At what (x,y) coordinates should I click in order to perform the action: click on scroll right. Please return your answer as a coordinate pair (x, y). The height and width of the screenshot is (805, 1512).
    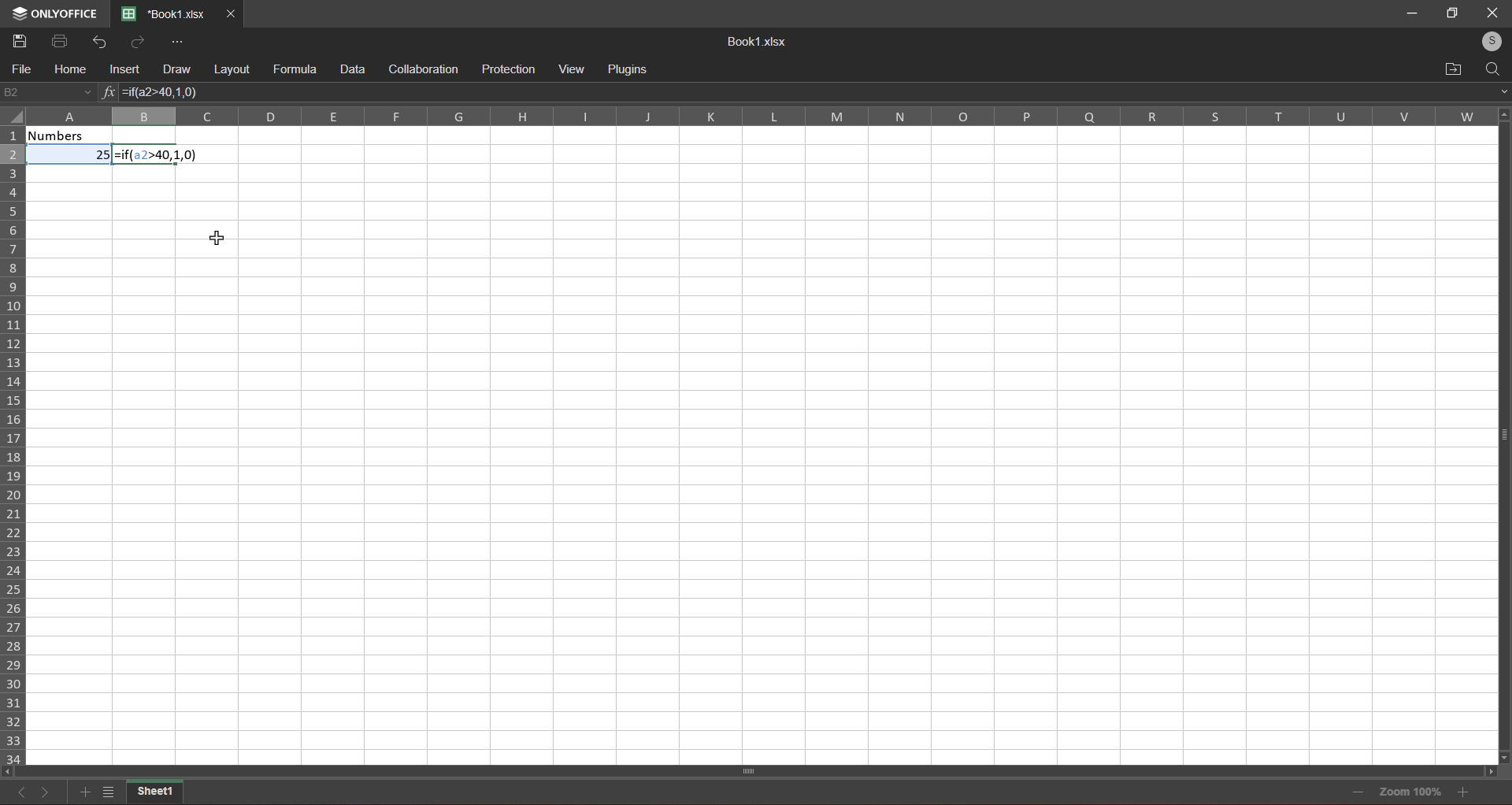
    Looking at the image, I should click on (1495, 773).